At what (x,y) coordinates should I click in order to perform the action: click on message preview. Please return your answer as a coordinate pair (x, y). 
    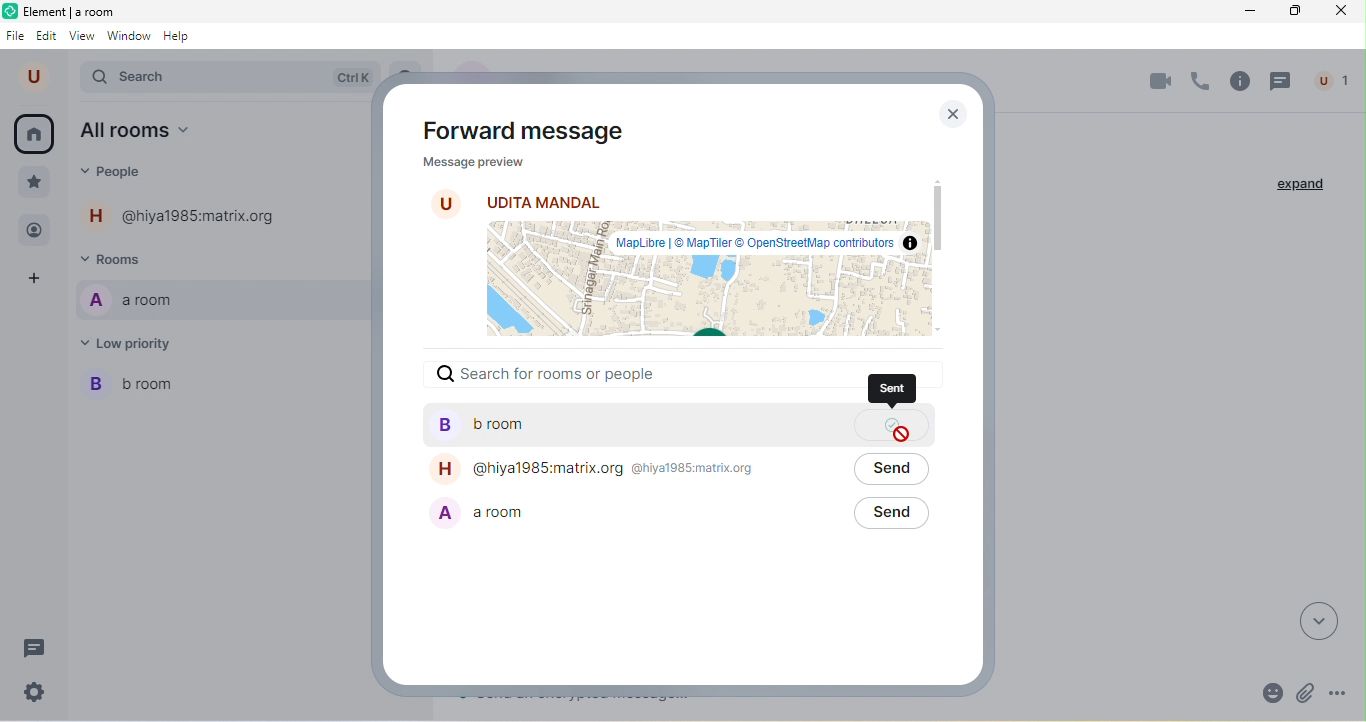
    Looking at the image, I should click on (704, 280).